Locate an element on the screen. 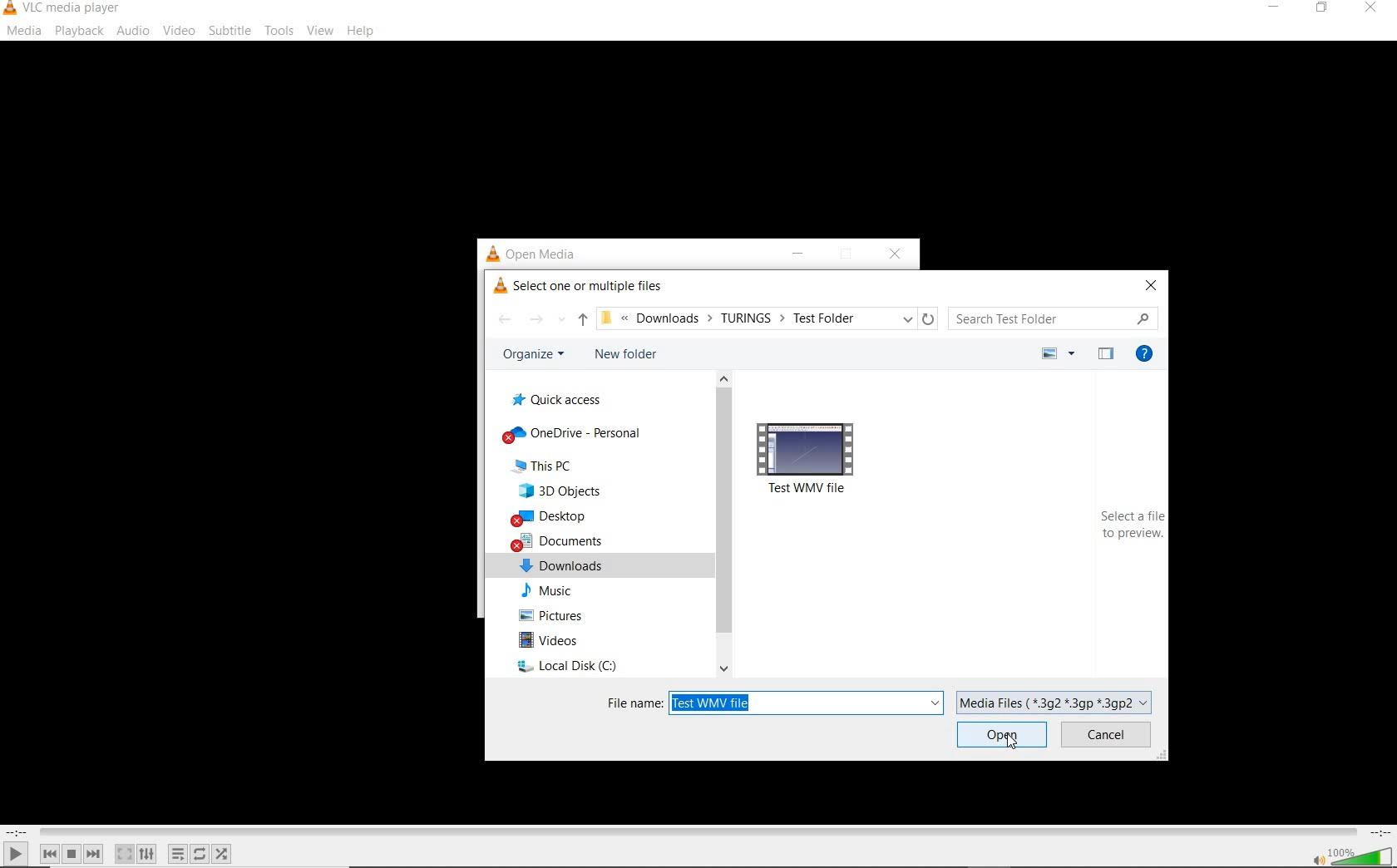 The width and height of the screenshot is (1397, 868). more options is located at coordinates (1058, 355).